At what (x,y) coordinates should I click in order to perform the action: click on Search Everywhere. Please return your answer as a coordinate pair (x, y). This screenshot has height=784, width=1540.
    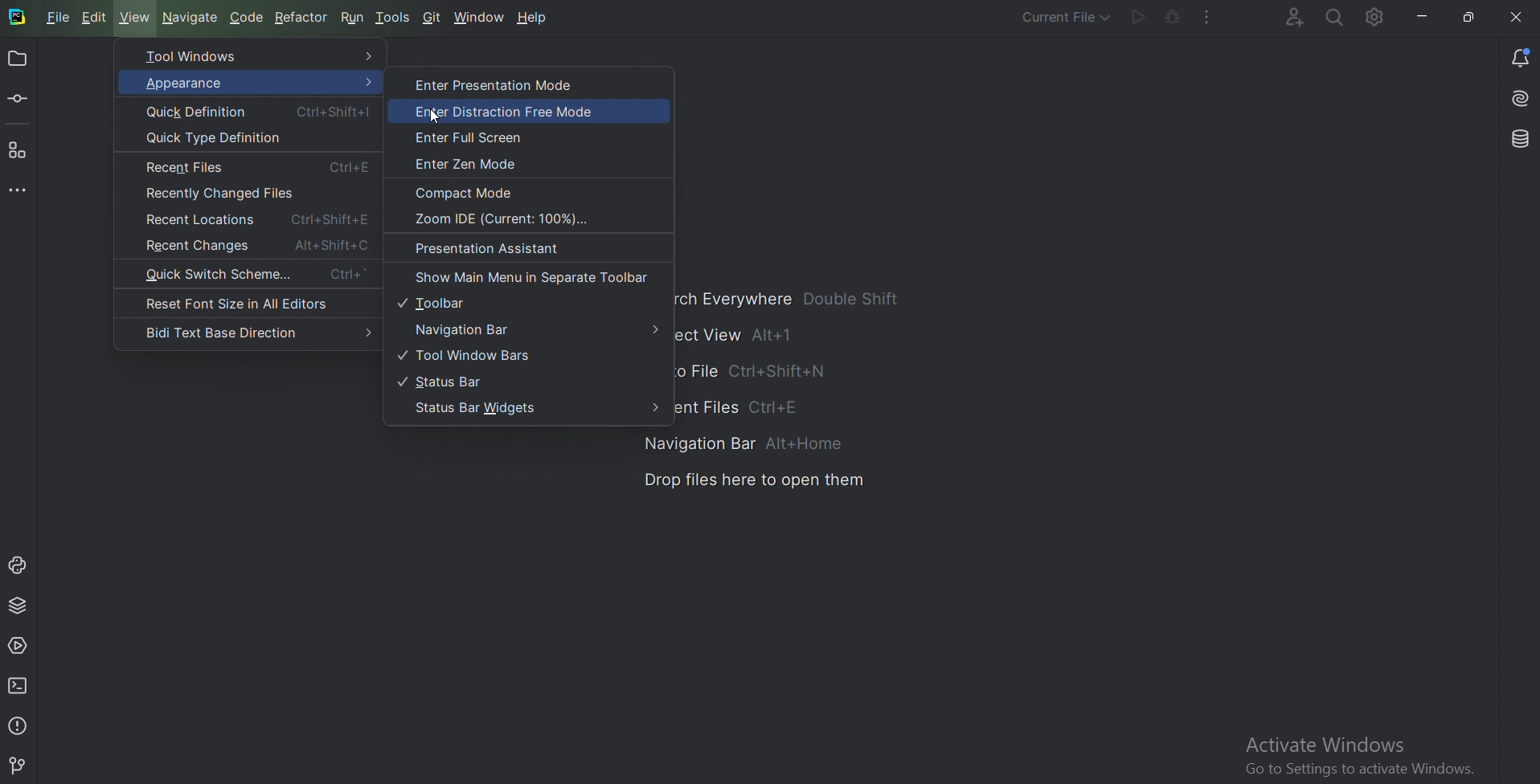
    Looking at the image, I should click on (1334, 17).